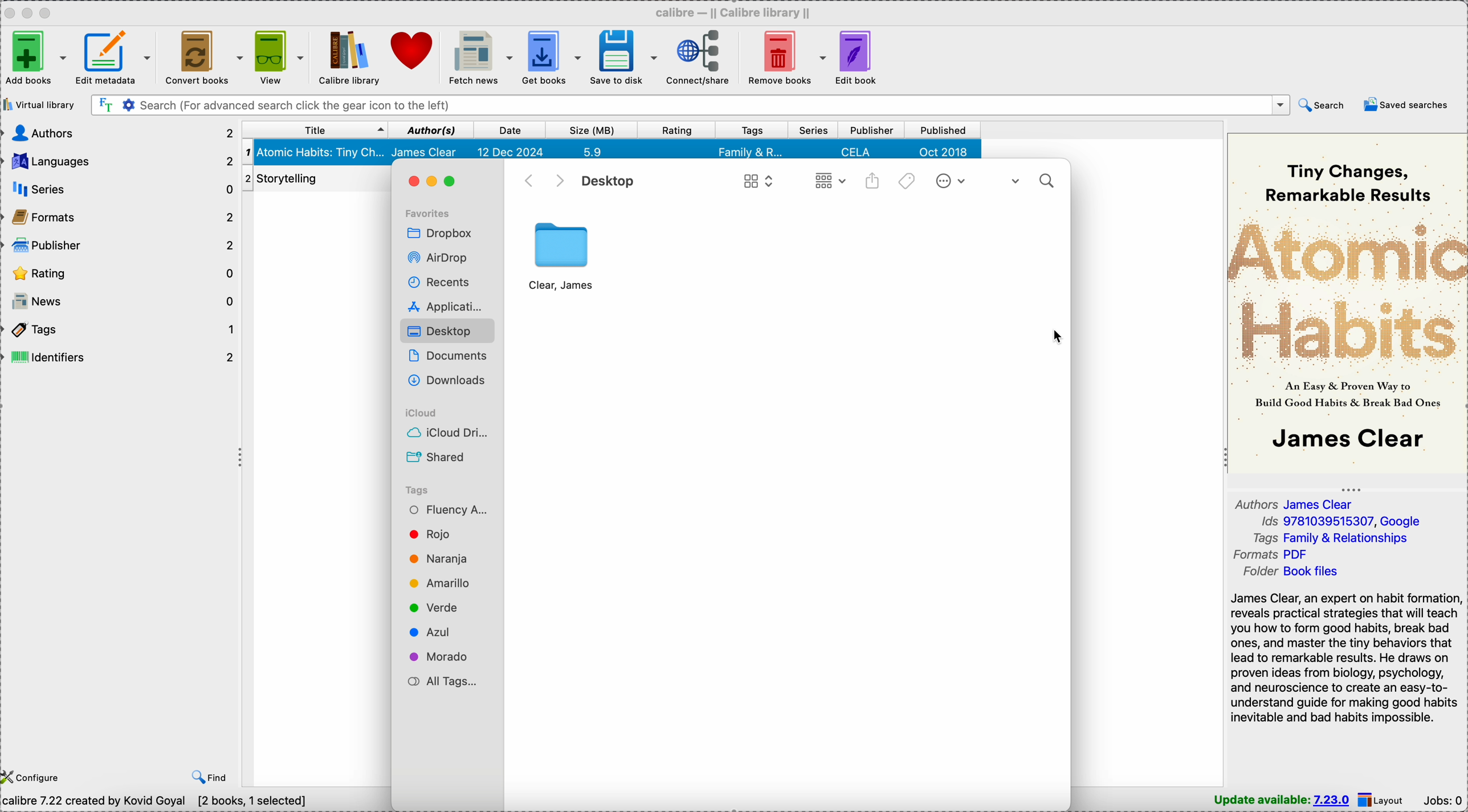  I want to click on find, so click(212, 777).